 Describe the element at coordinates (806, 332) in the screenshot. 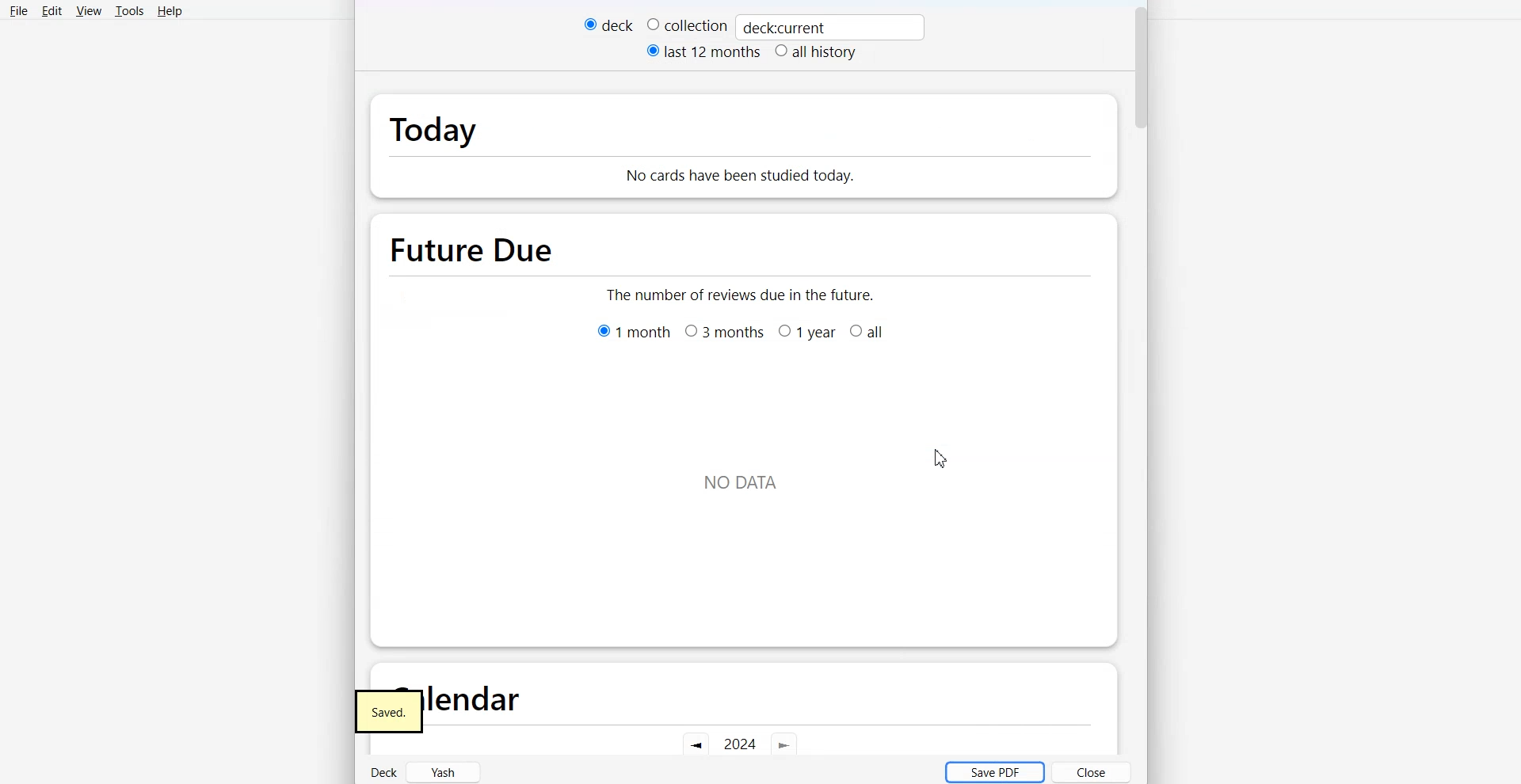

I see `1 Year` at that location.